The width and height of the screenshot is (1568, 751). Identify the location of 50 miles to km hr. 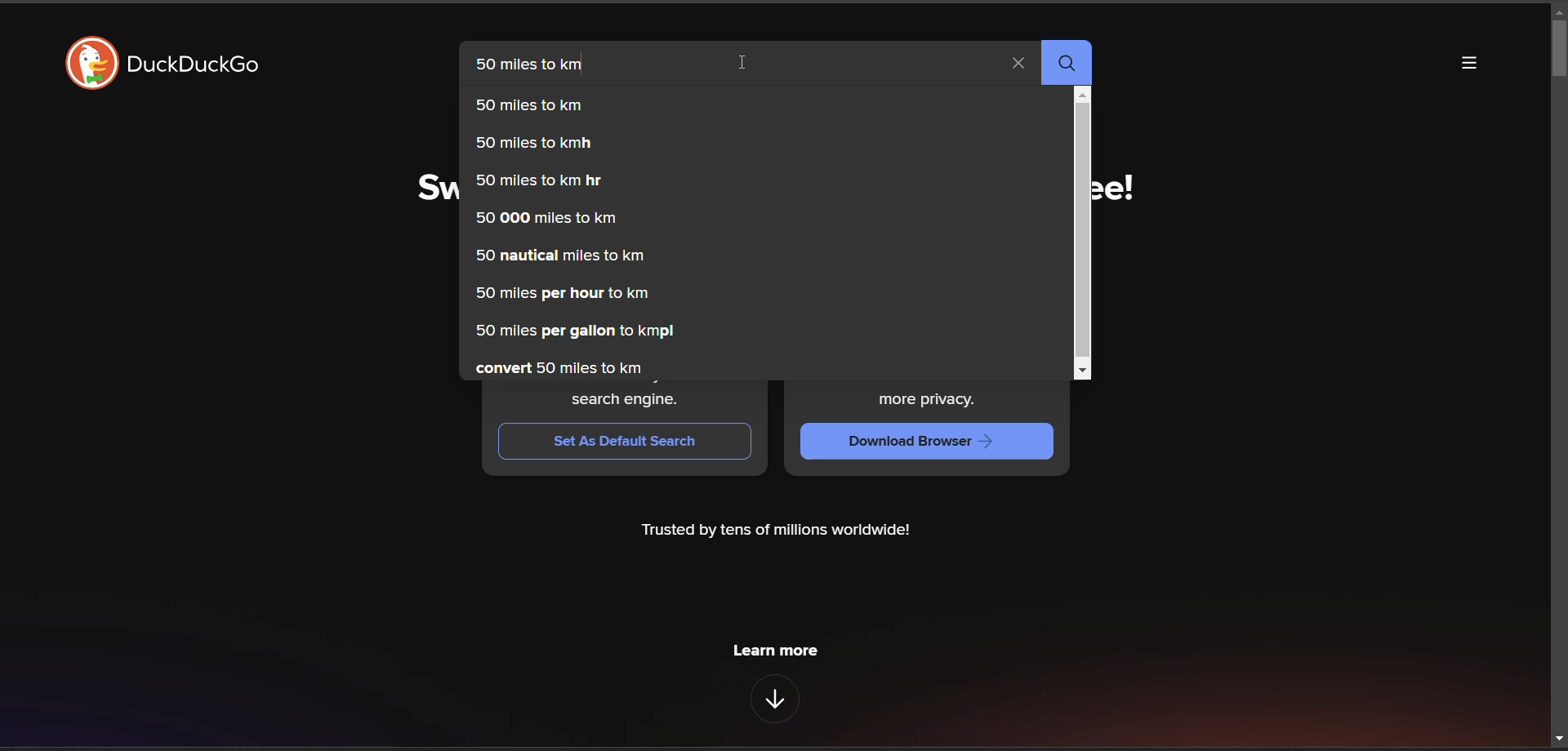
(537, 180).